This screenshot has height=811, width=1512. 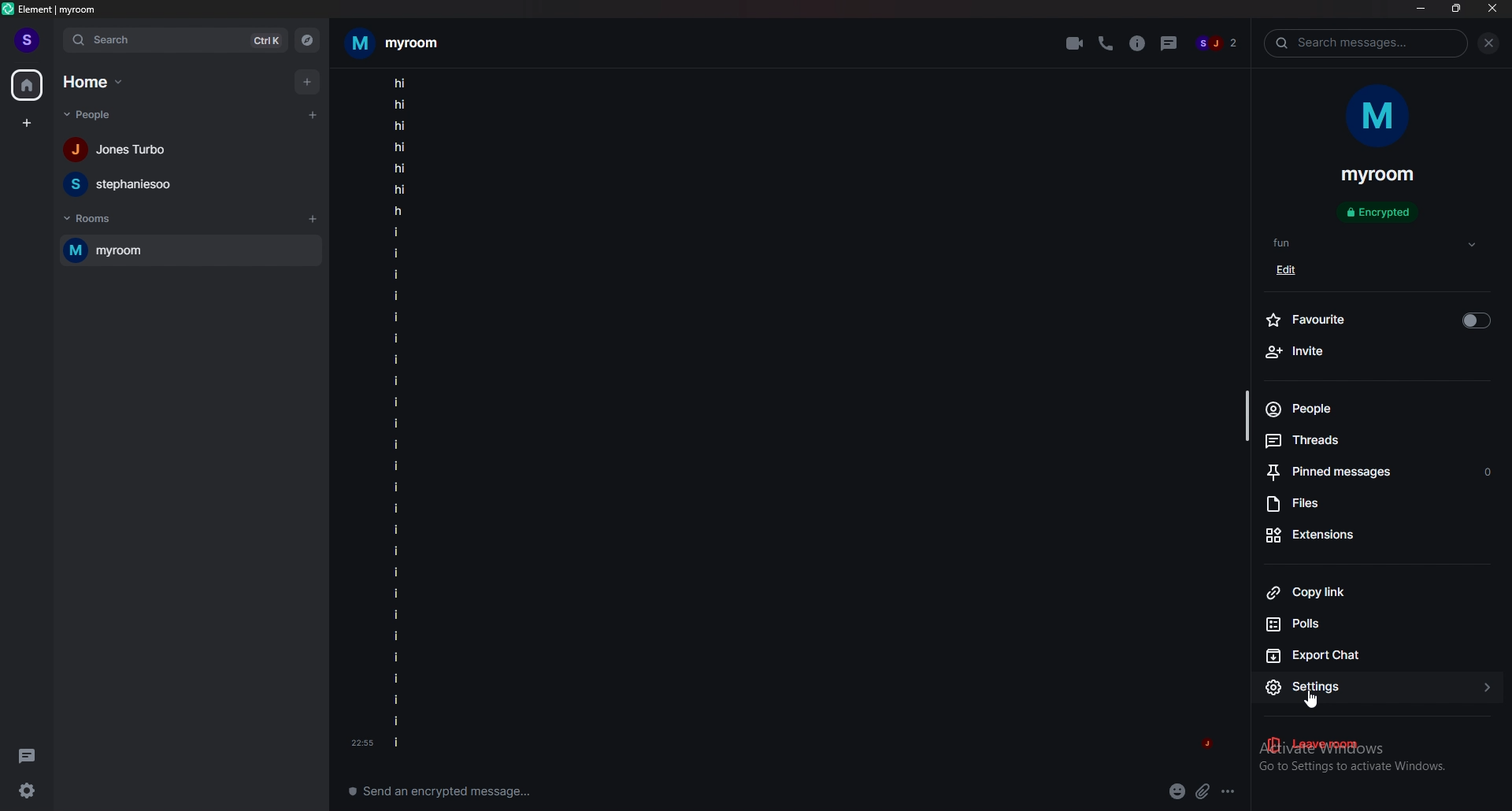 What do you see at coordinates (1247, 417) in the screenshot?
I see `resize bar` at bounding box center [1247, 417].